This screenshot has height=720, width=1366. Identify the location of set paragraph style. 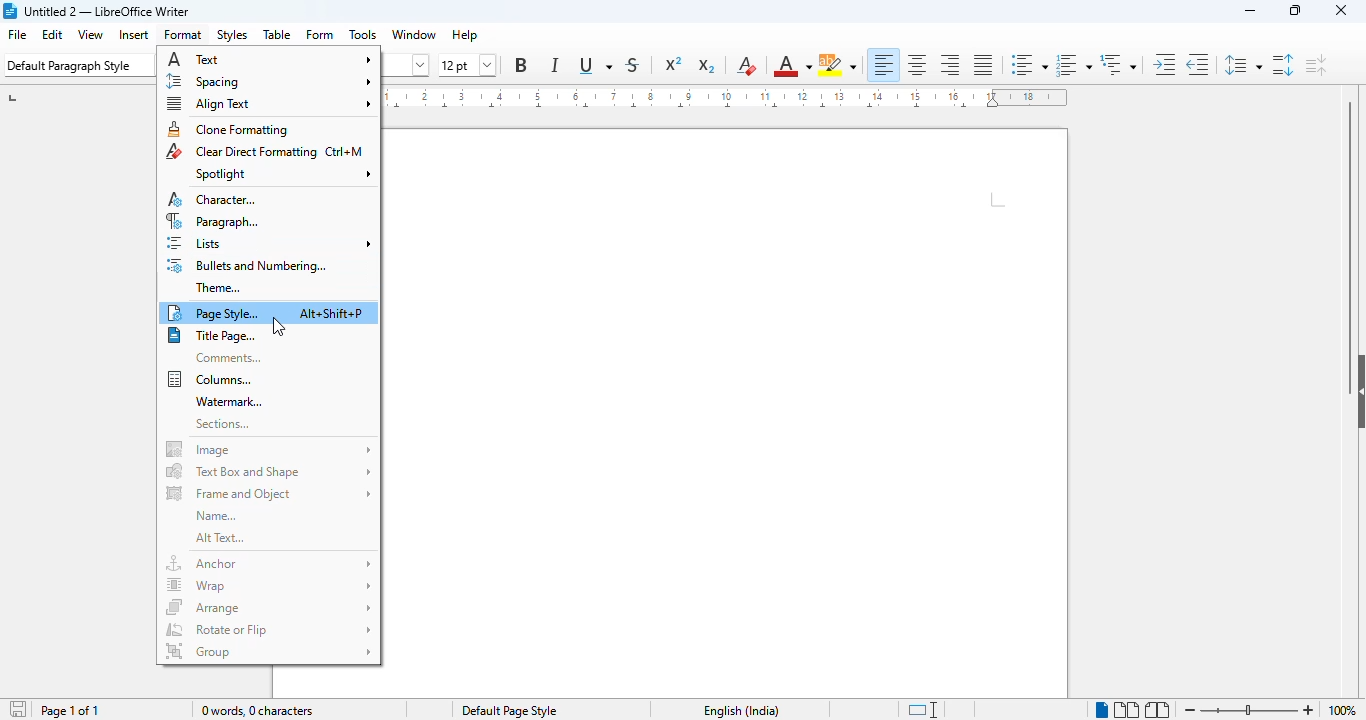
(74, 66).